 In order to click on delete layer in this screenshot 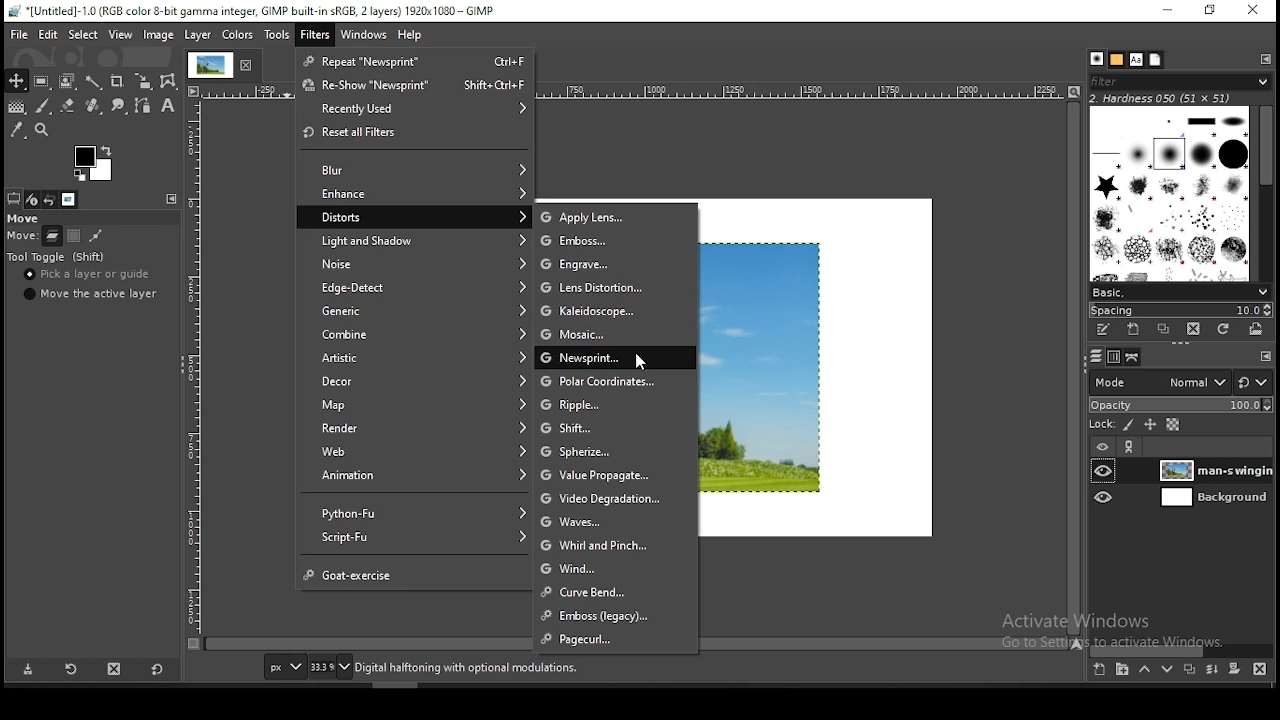, I will do `click(1264, 669)`.